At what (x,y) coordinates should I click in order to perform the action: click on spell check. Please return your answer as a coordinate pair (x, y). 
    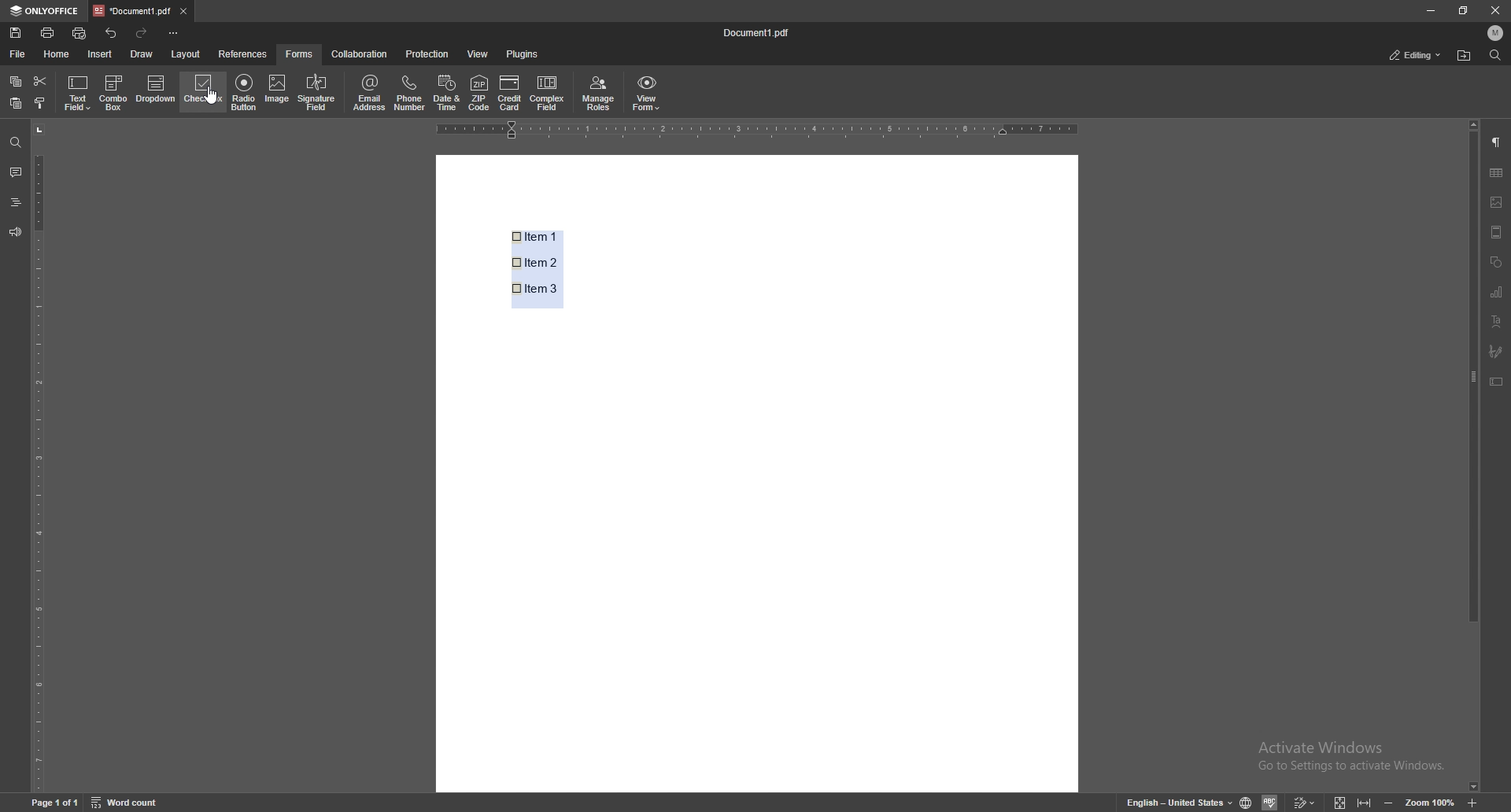
    Looking at the image, I should click on (1269, 802).